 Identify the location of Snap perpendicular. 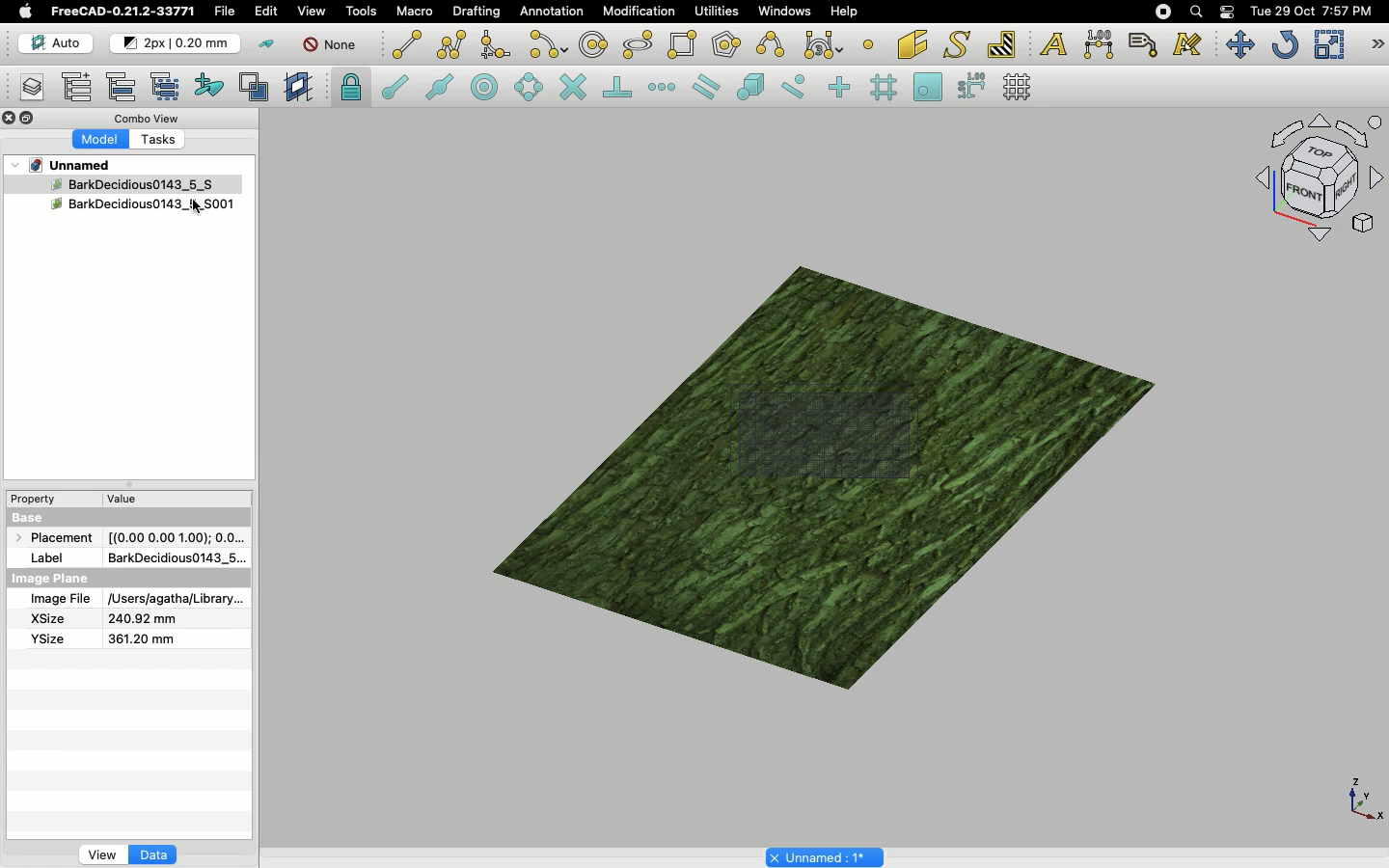
(620, 89).